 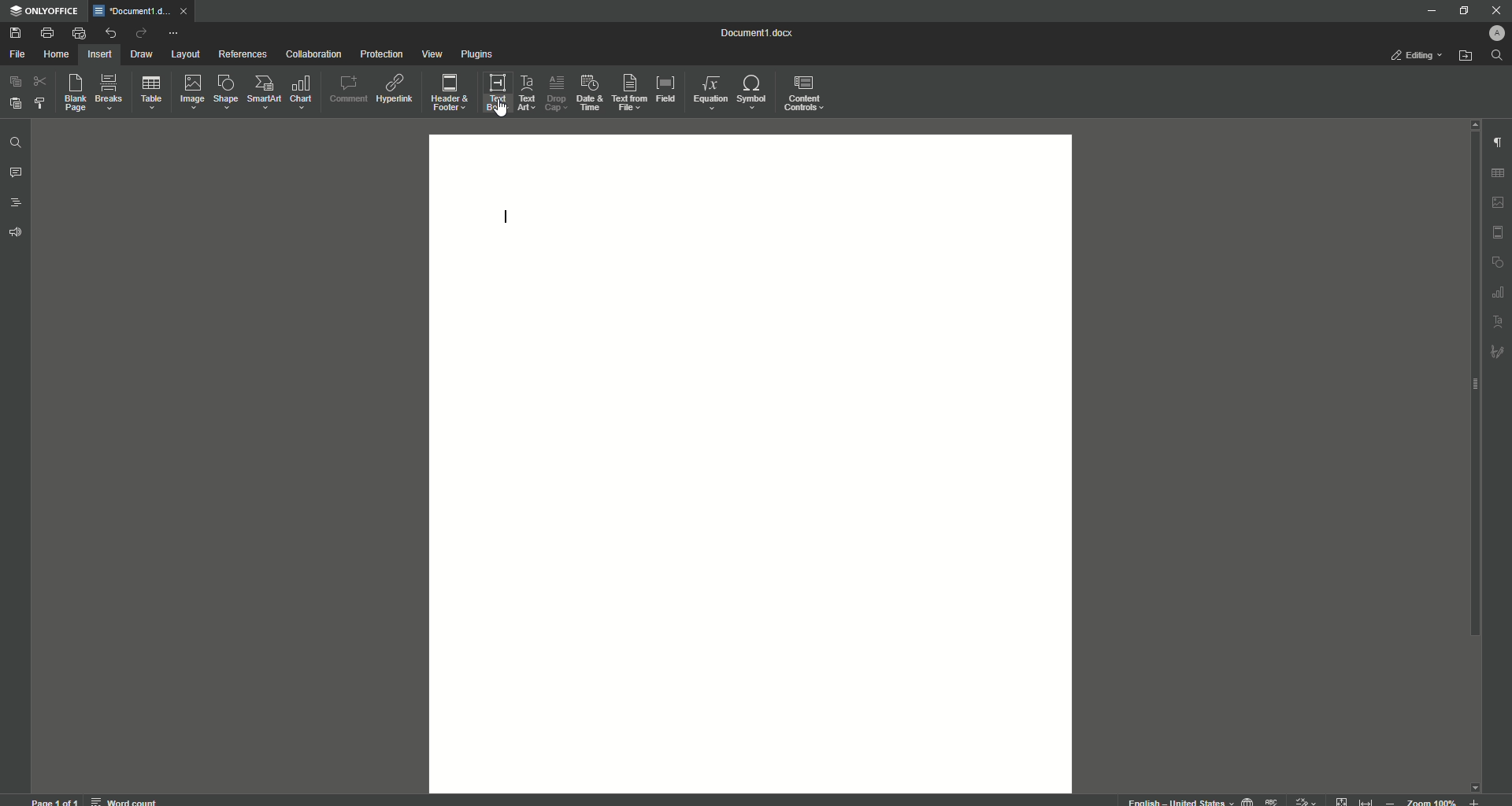 I want to click on Shape, so click(x=224, y=91).